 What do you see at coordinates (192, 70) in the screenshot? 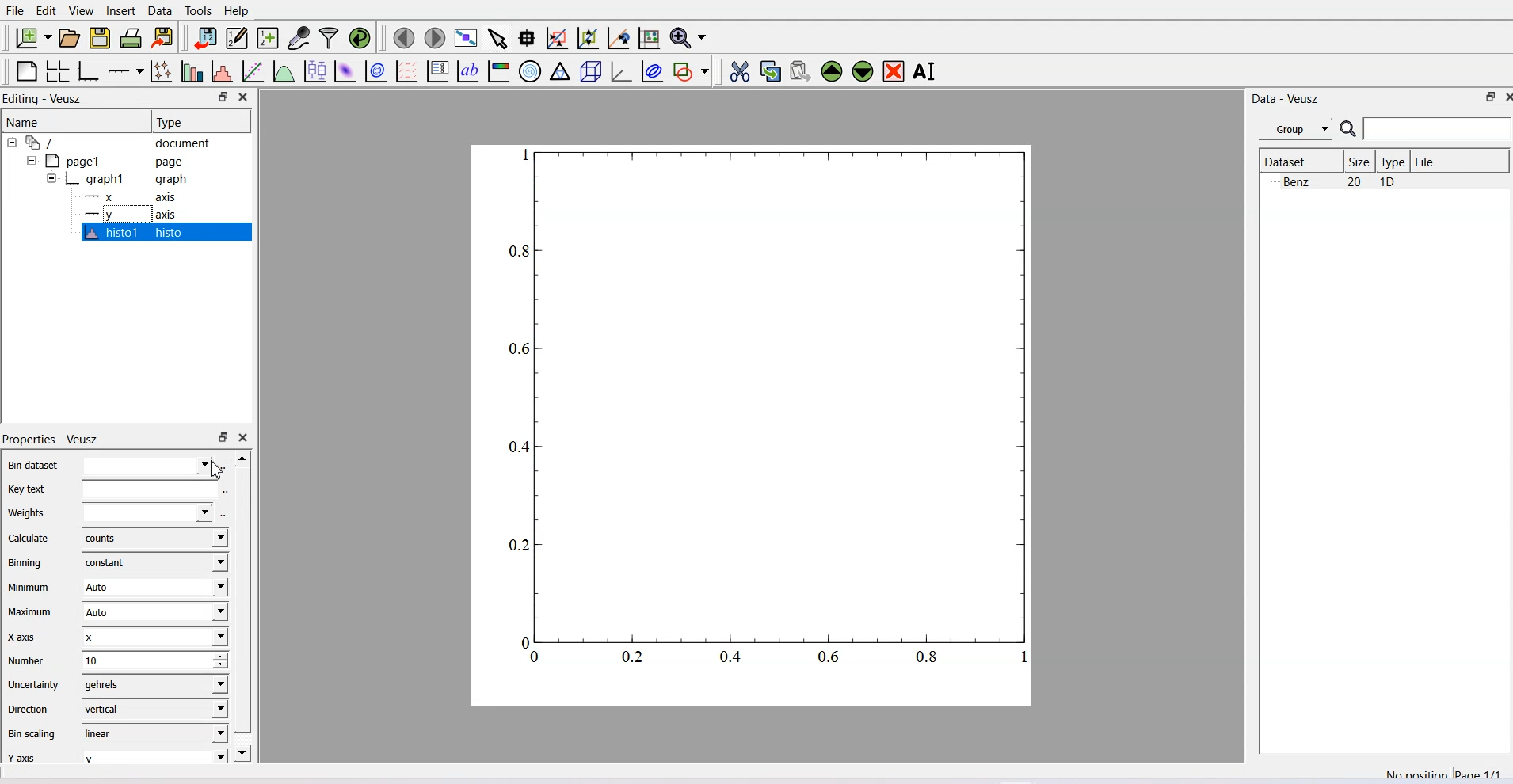
I see `Plot bar chart` at bounding box center [192, 70].